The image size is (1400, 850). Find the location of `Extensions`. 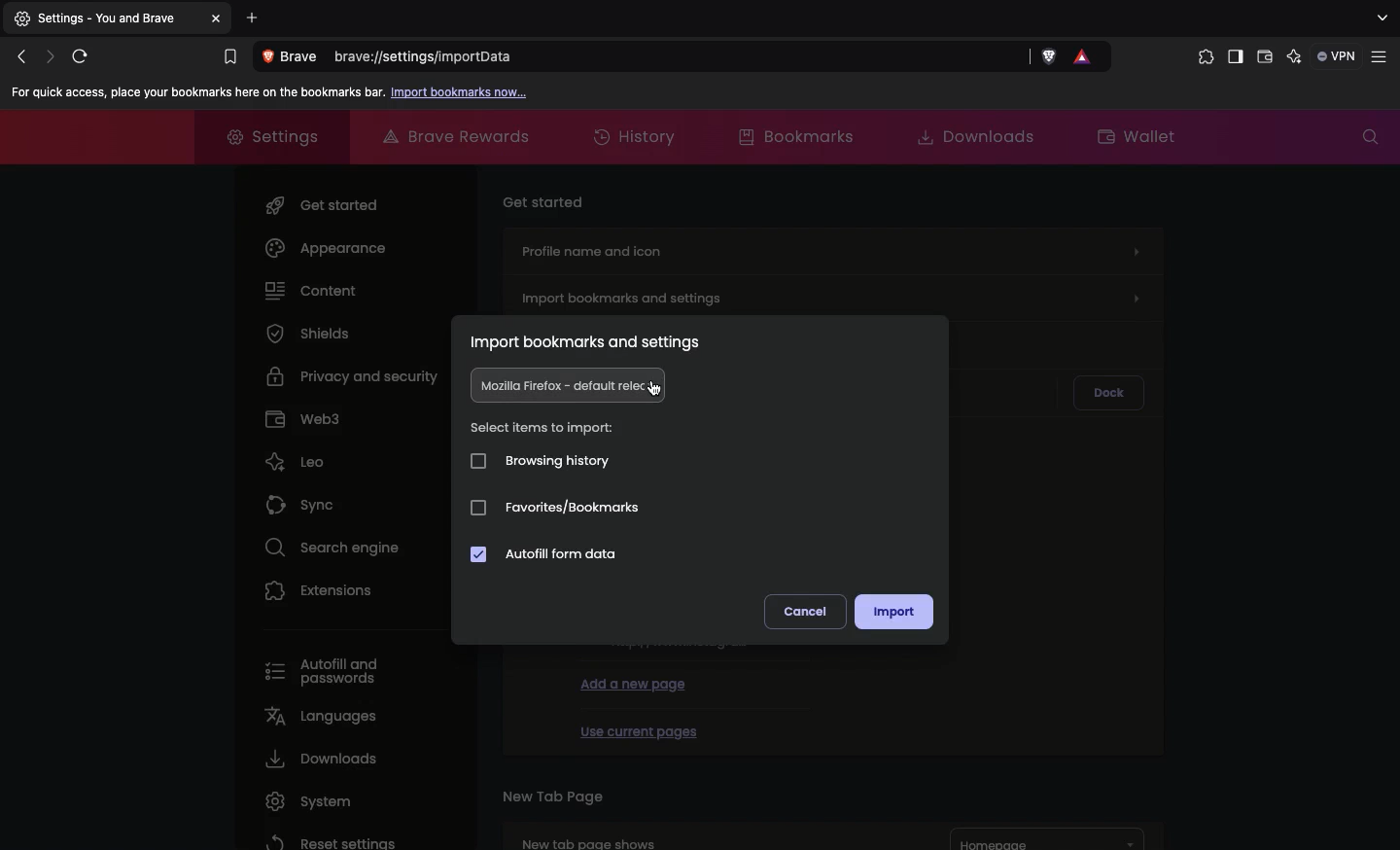

Extensions is located at coordinates (320, 589).